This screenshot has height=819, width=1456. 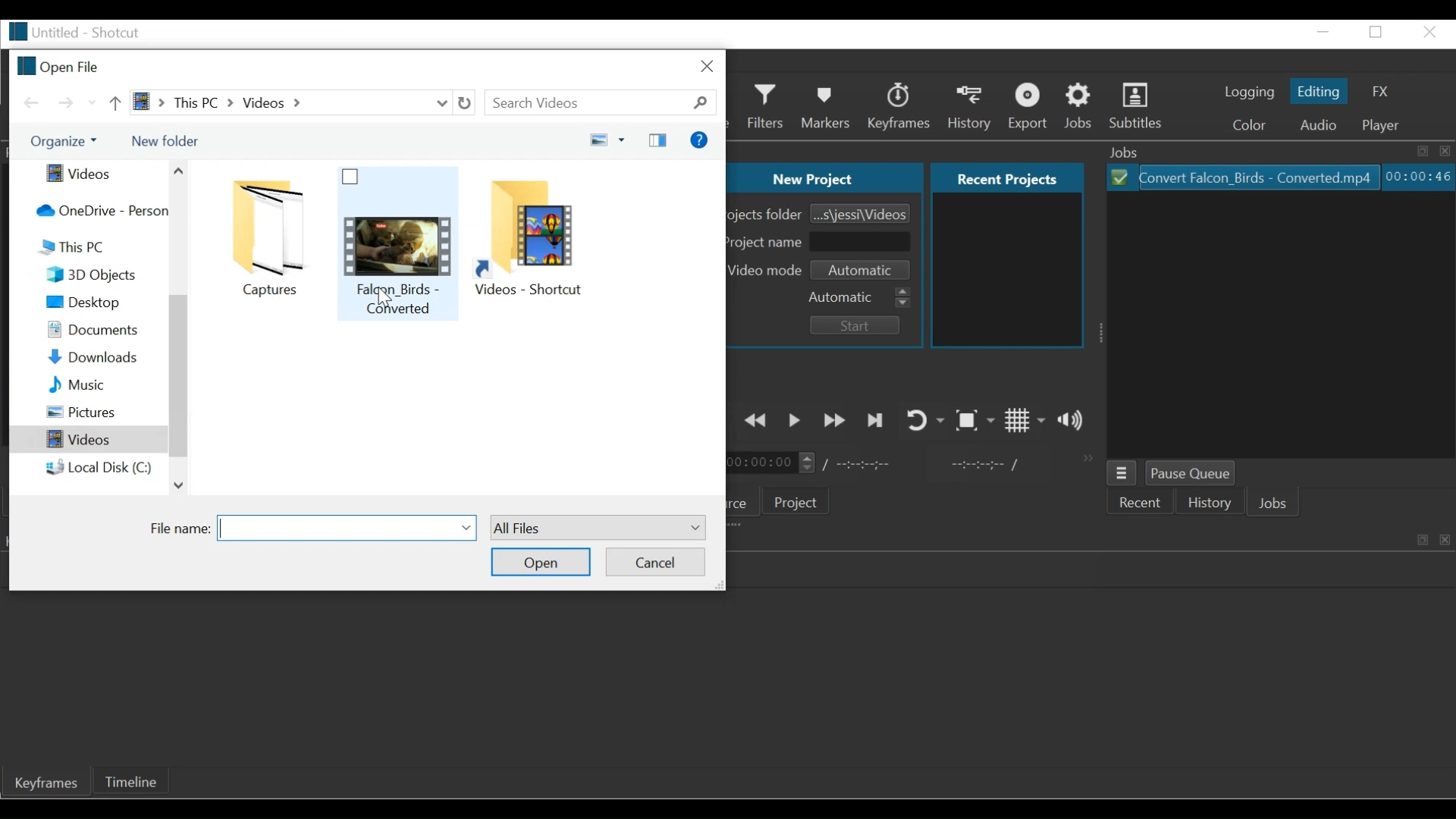 What do you see at coordinates (865, 270) in the screenshot?
I see `Set Video mode` at bounding box center [865, 270].